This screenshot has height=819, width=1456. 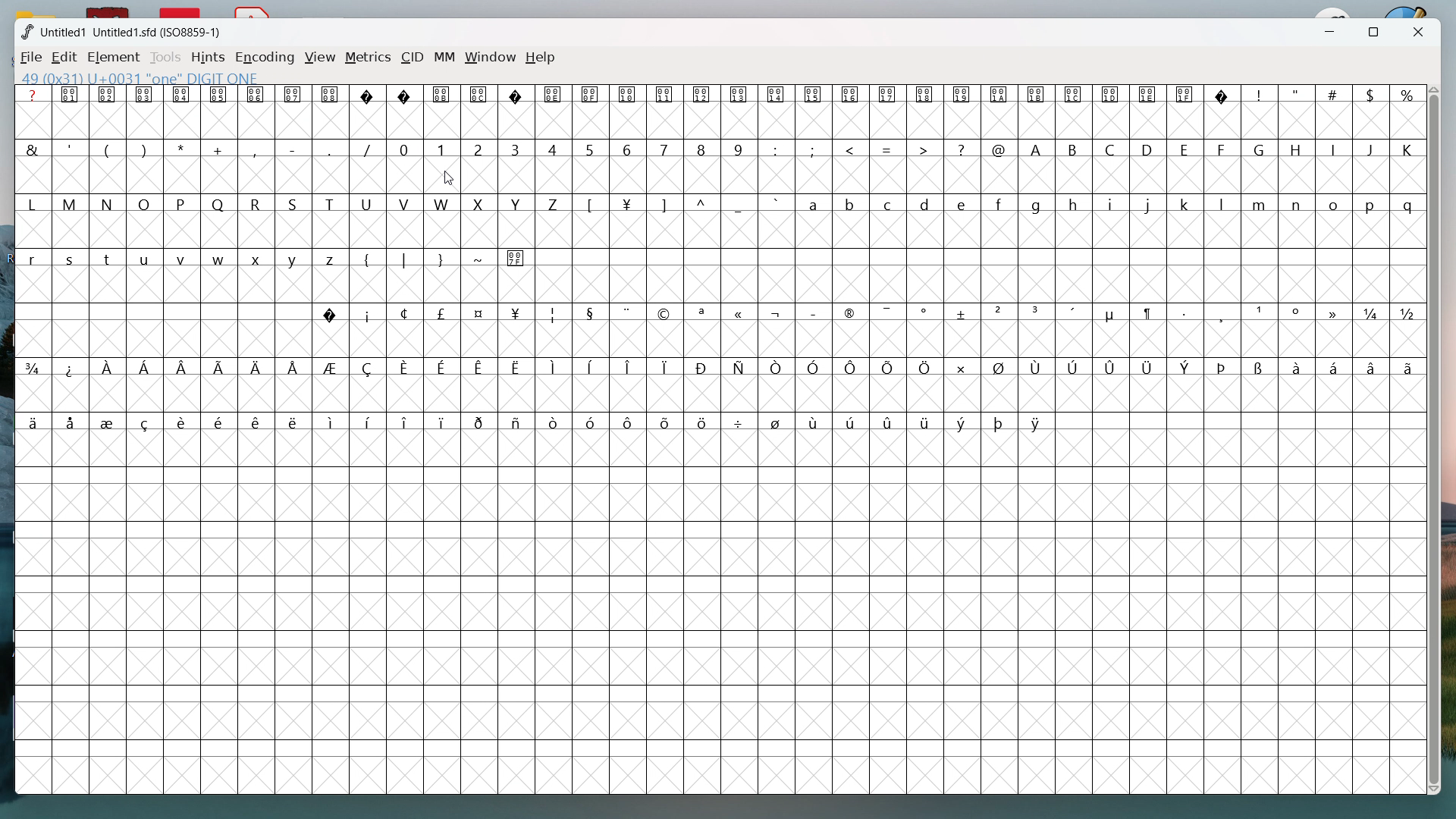 I want to click on symbol, so click(x=407, y=95).